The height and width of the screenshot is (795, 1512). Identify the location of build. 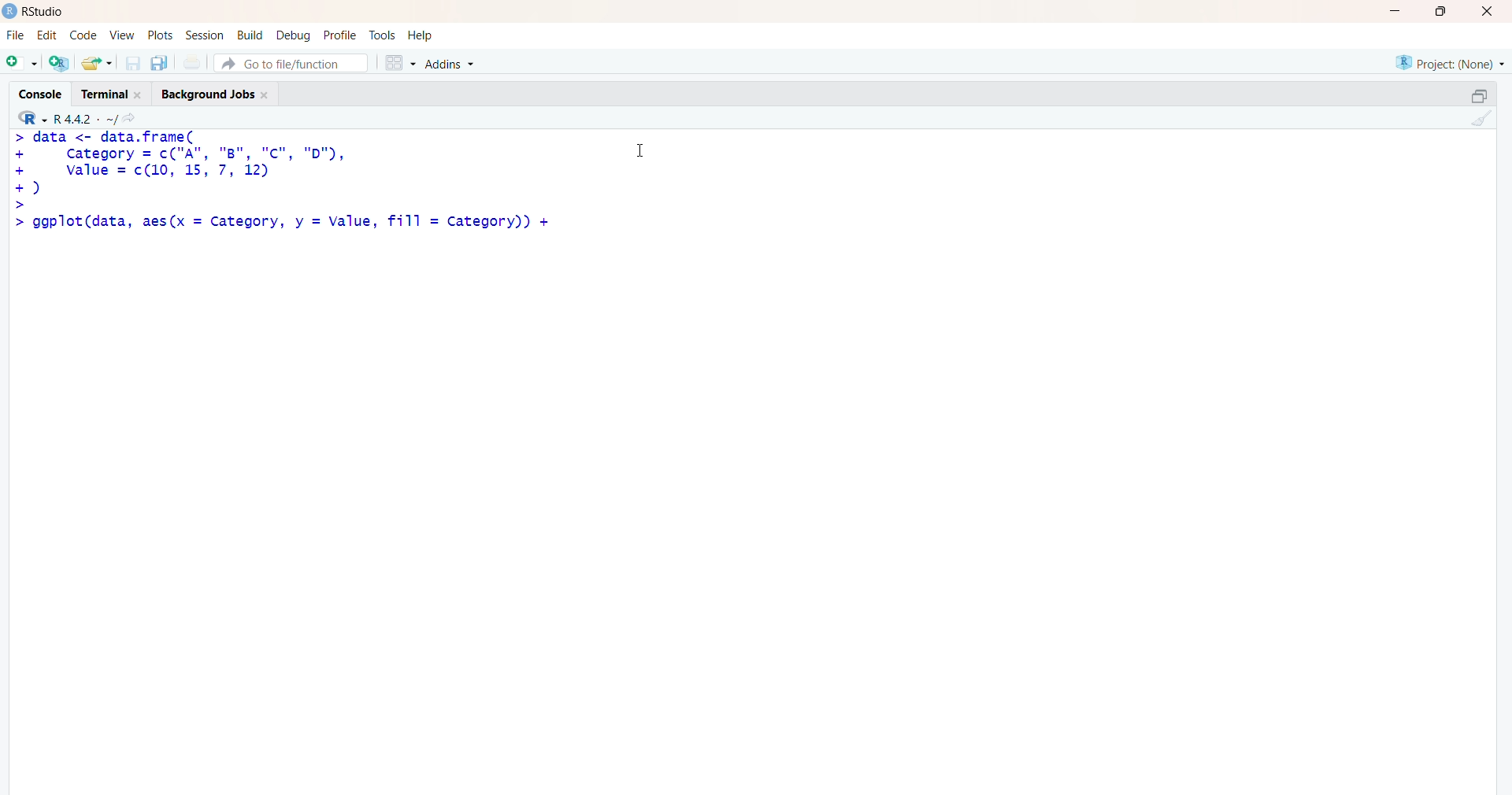
(249, 35).